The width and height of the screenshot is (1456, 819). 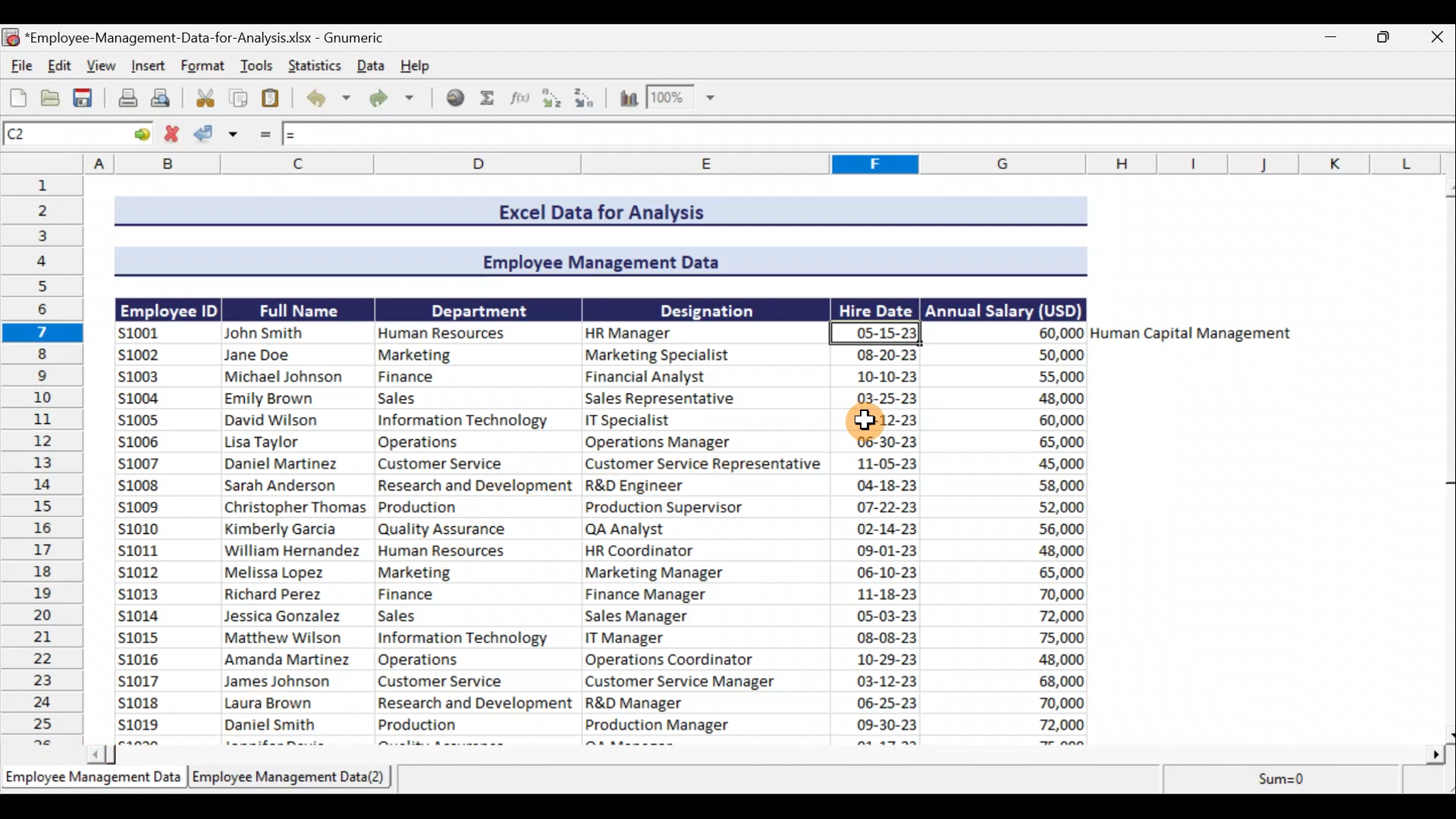 What do you see at coordinates (369, 68) in the screenshot?
I see `Data` at bounding box center [369, 68].